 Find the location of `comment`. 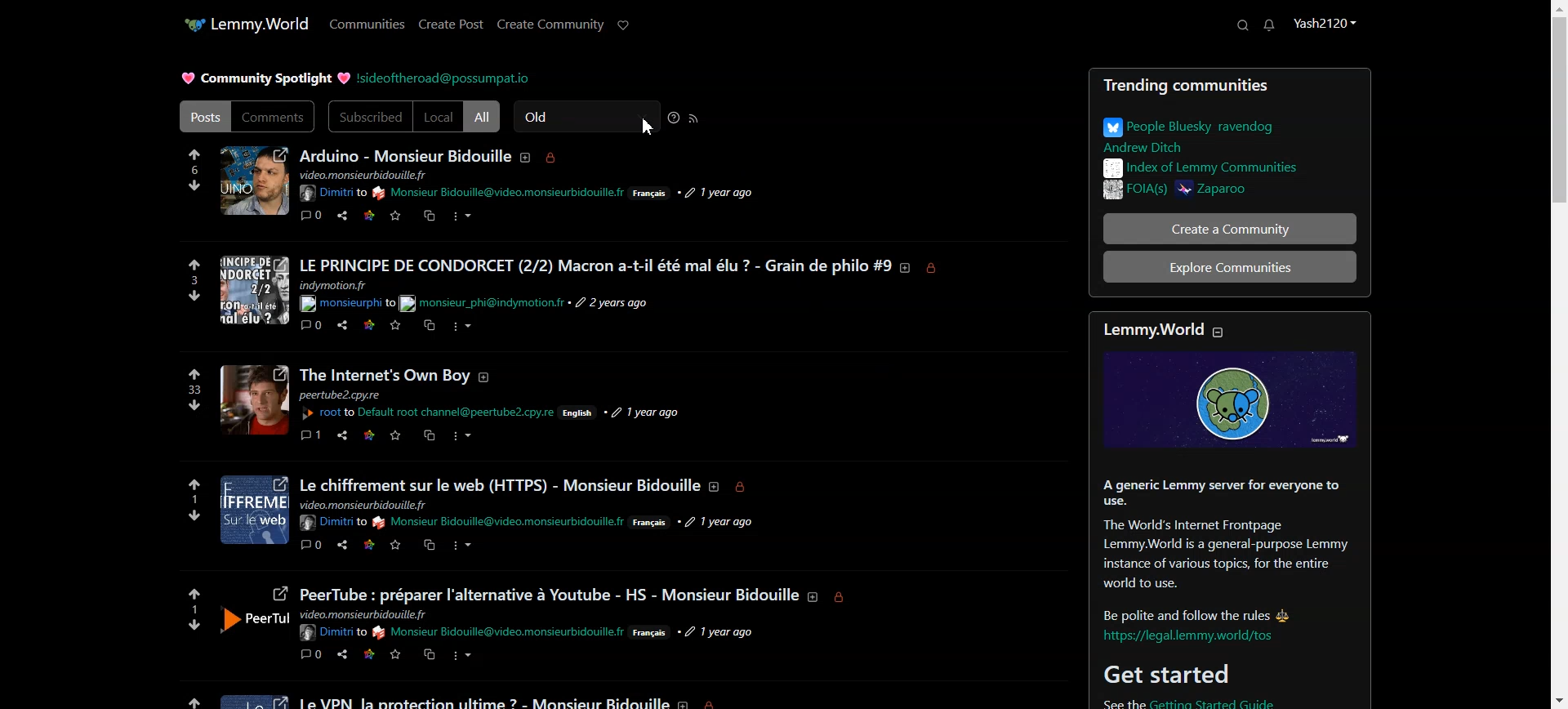

comment is located at coordinates (311, 432).